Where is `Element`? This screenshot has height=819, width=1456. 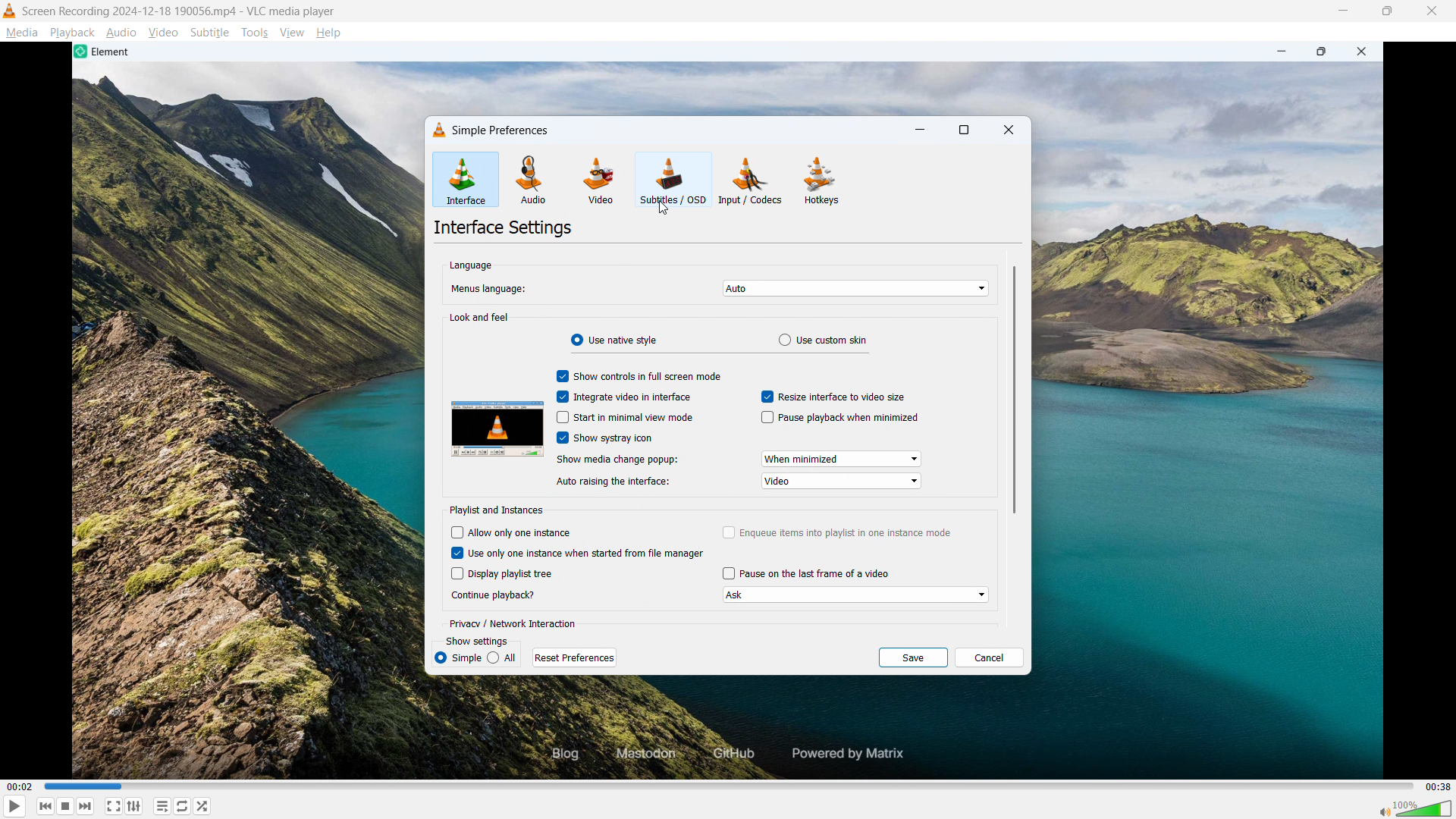
Element is located at coordinates (105, 52).